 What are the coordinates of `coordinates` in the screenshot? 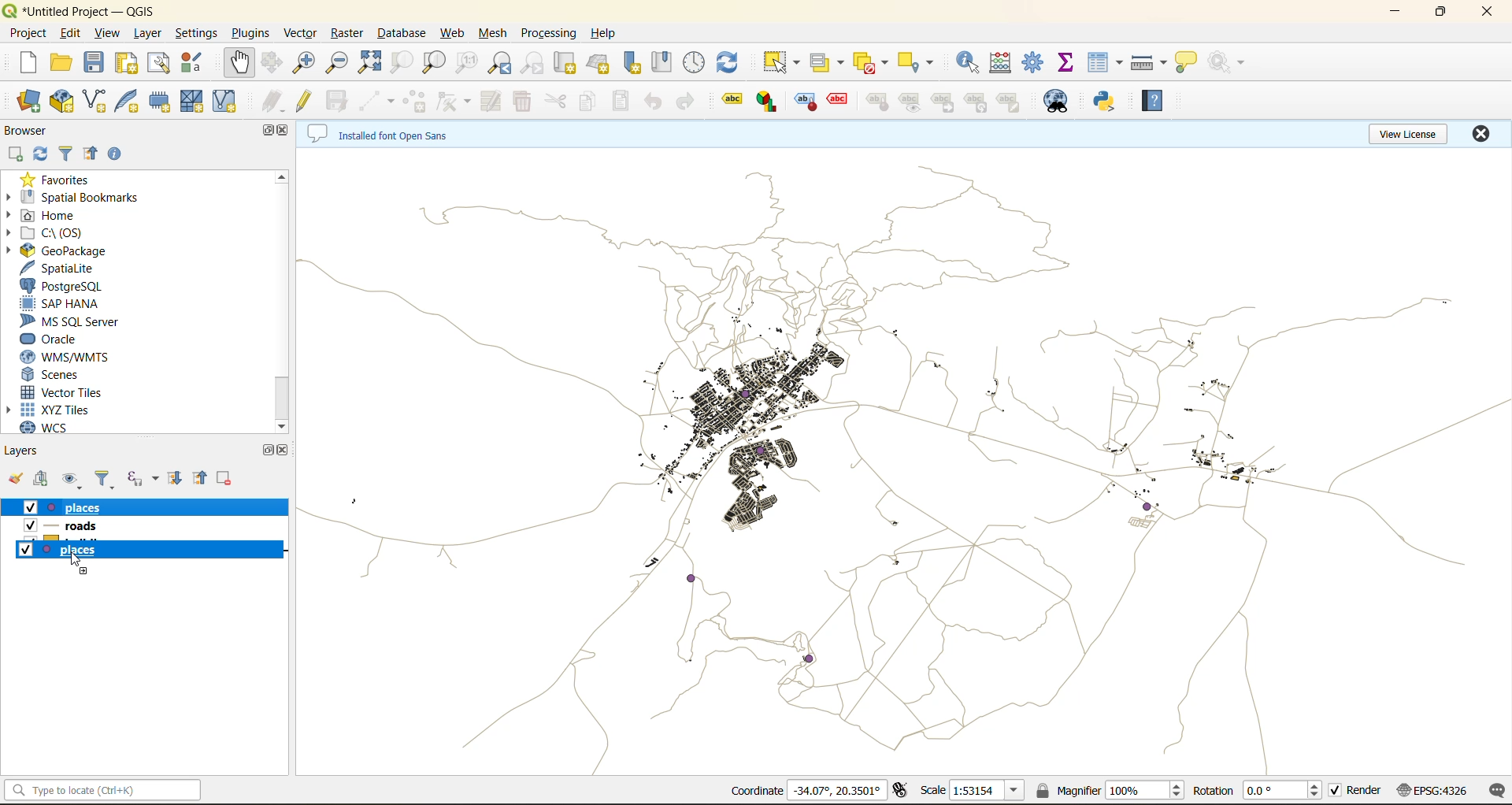 It's located at (811, 789).